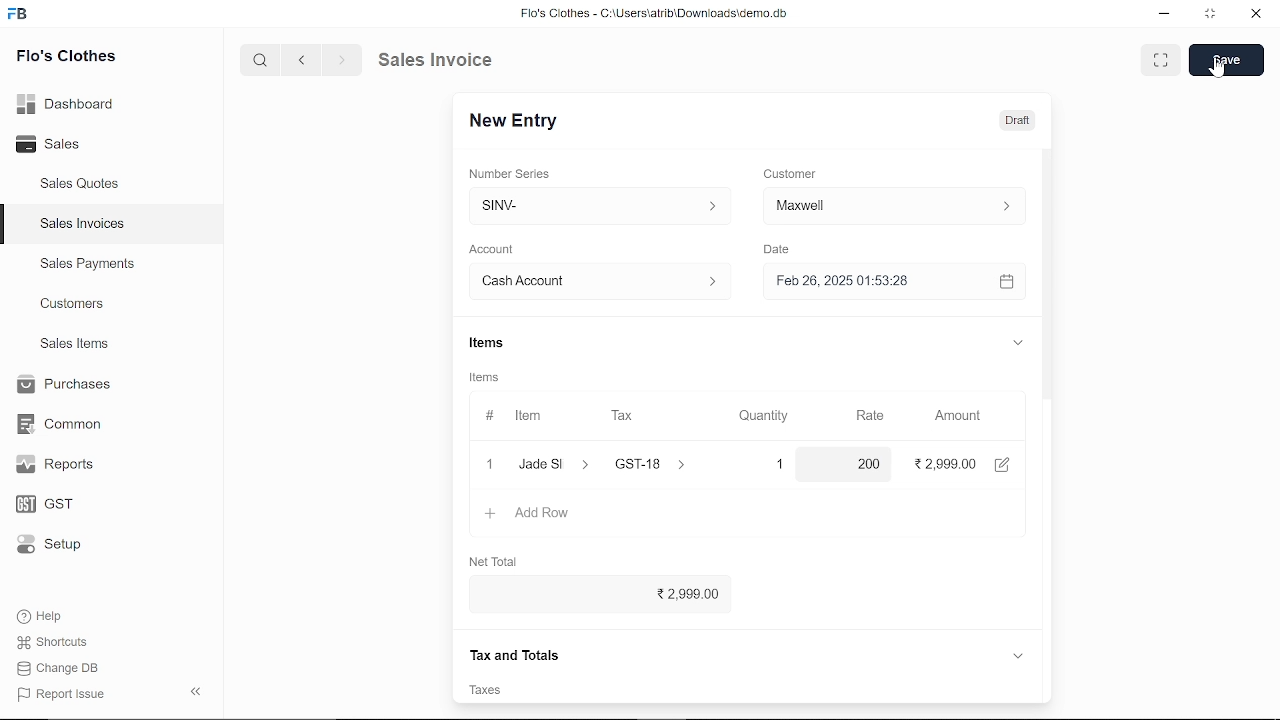 This screenshot has width=1280, height=720. I want to click on References, so click(514, 653).